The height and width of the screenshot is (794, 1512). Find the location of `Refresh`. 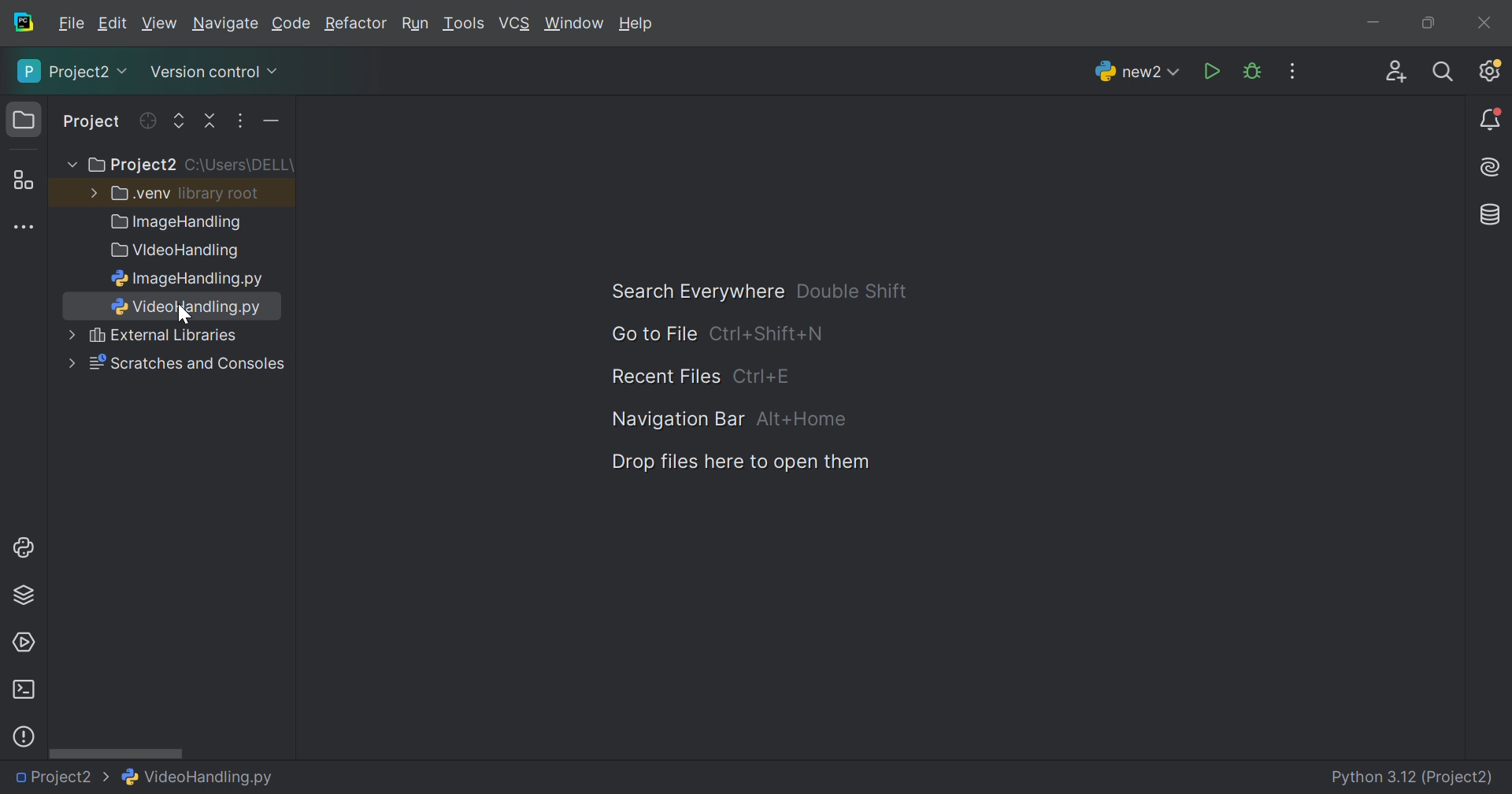

Refresh is located at coordinates (146, 121).